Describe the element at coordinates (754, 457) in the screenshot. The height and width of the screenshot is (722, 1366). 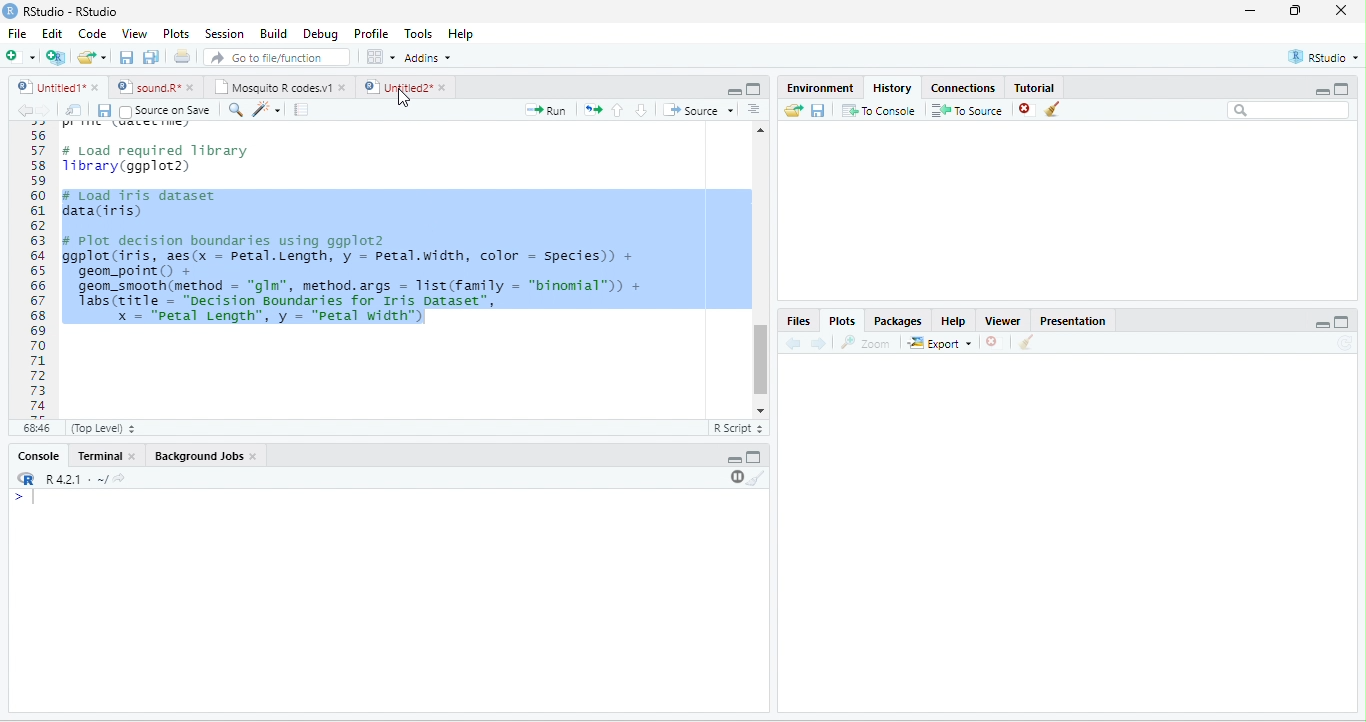
I see `Maximize` at that location.